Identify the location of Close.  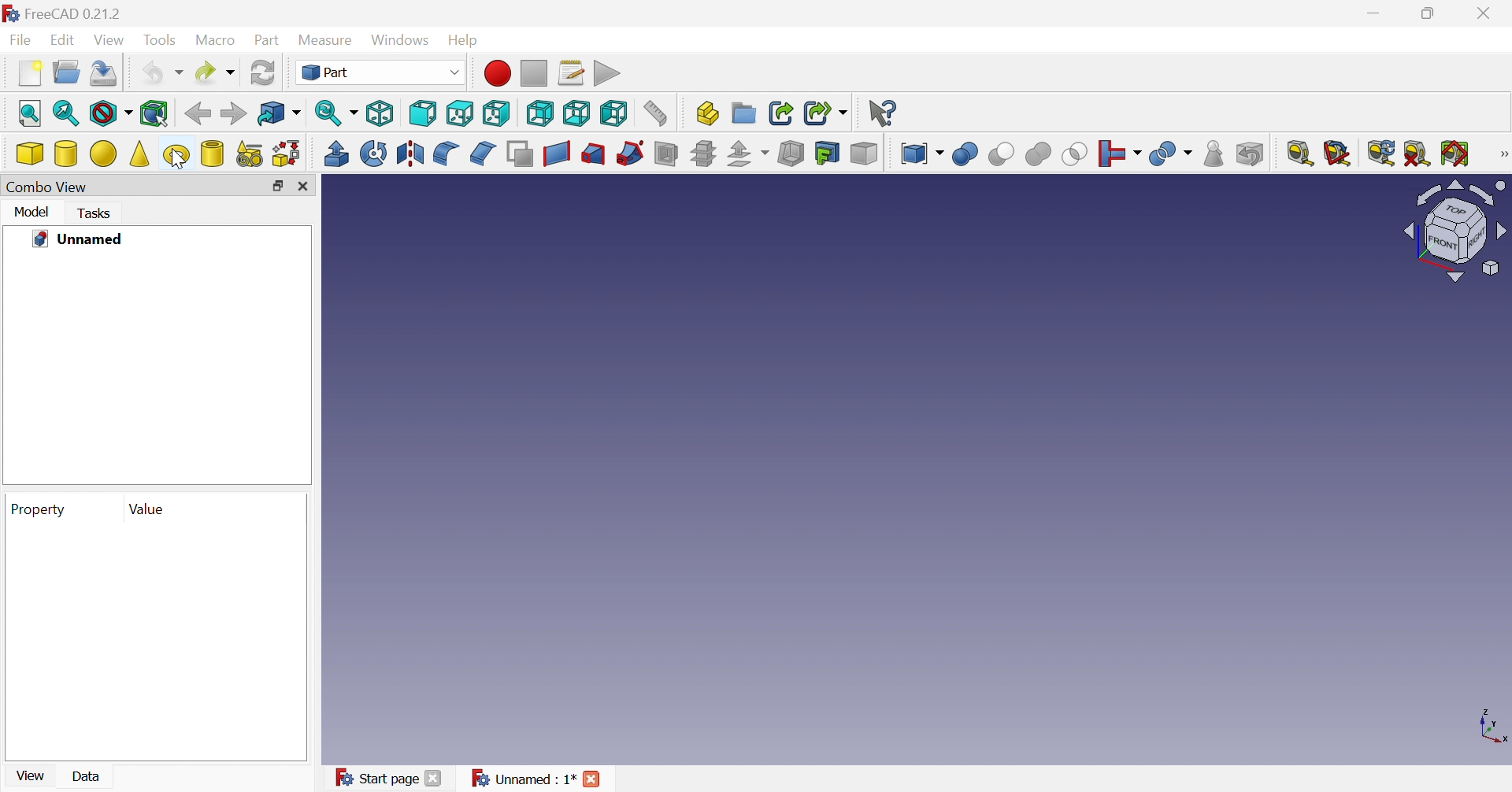
(433, 779).